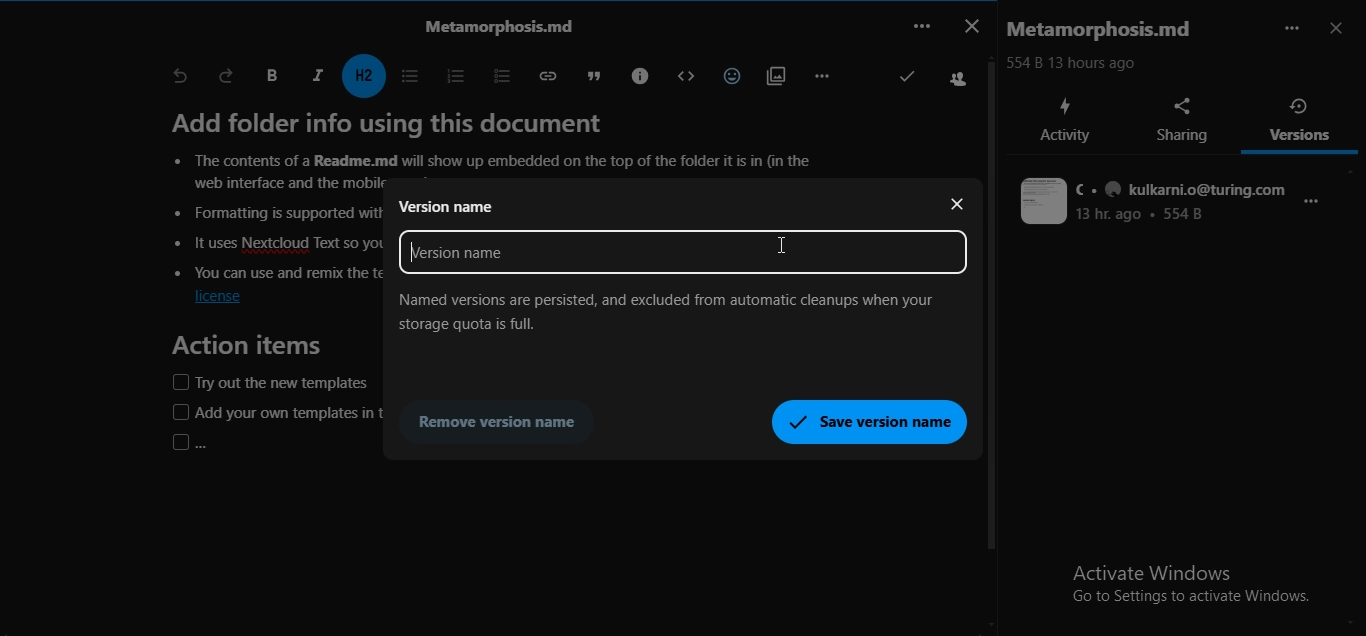 This screenshot has width=1366, height=636. Describe the element at coordinates (447, 208) in the screenshot. I see `version name` at that location.